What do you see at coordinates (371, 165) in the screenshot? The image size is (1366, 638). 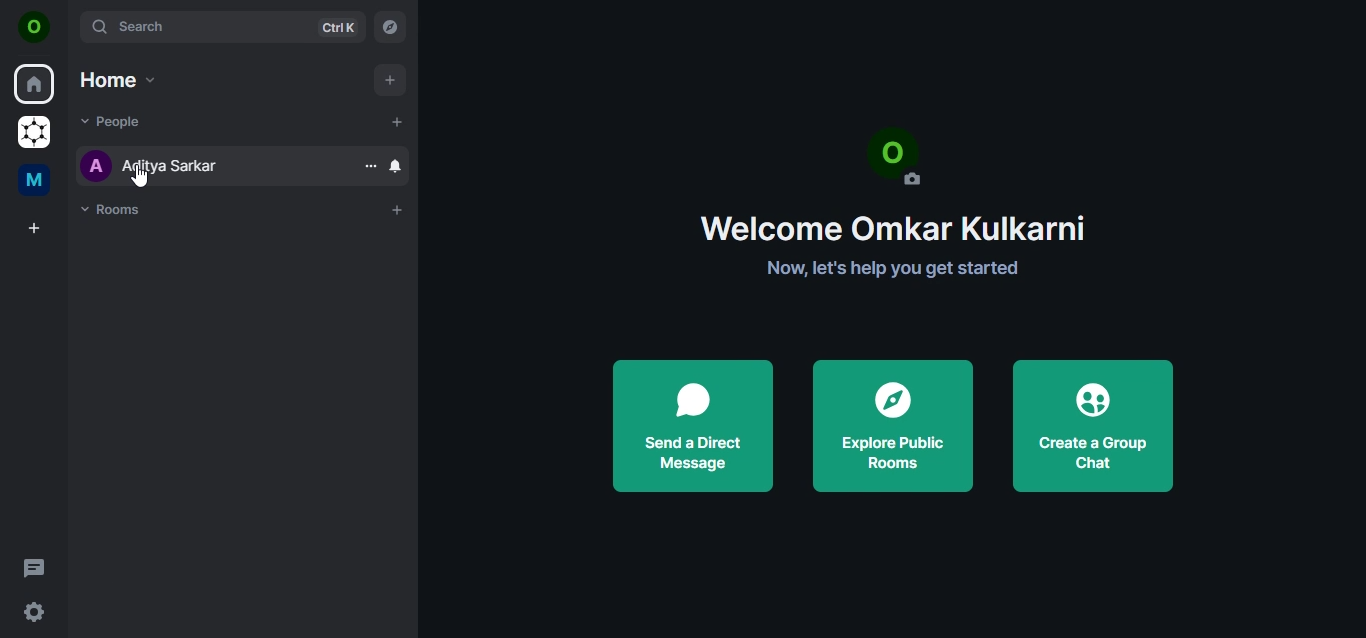 I see `more options` at bounding box center [371, 165].